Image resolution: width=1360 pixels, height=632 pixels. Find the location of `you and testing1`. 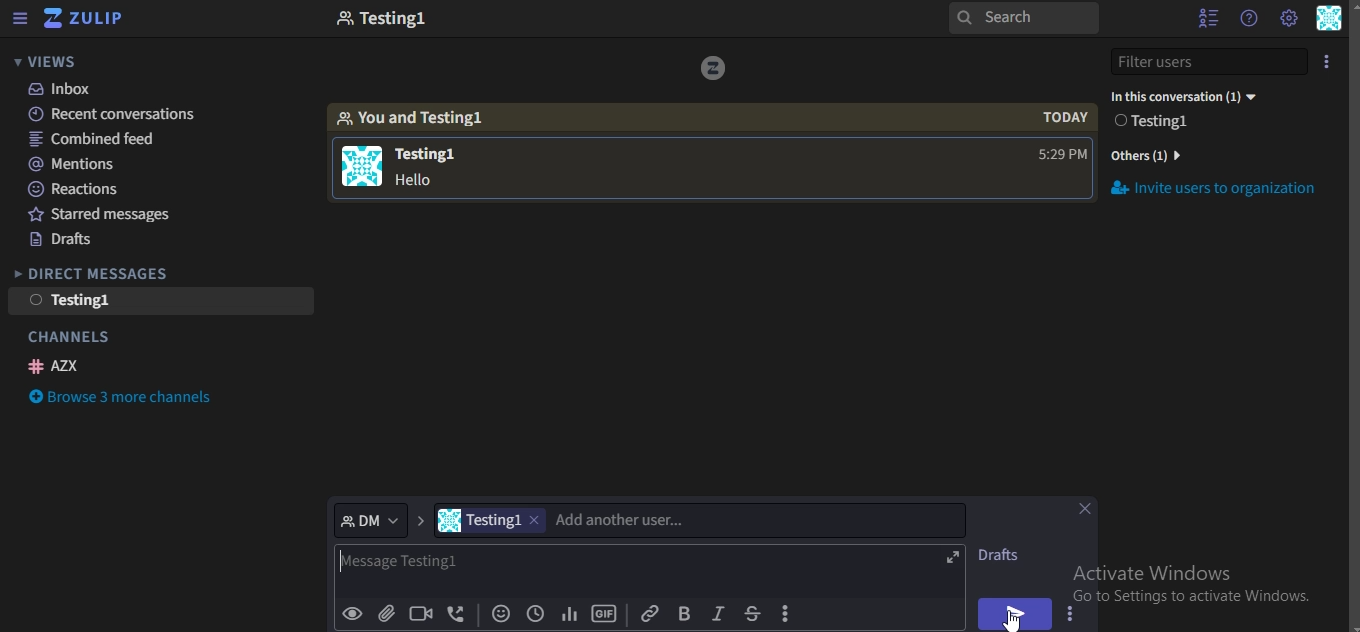

you and testing1 is located at coordinates (445, 119).